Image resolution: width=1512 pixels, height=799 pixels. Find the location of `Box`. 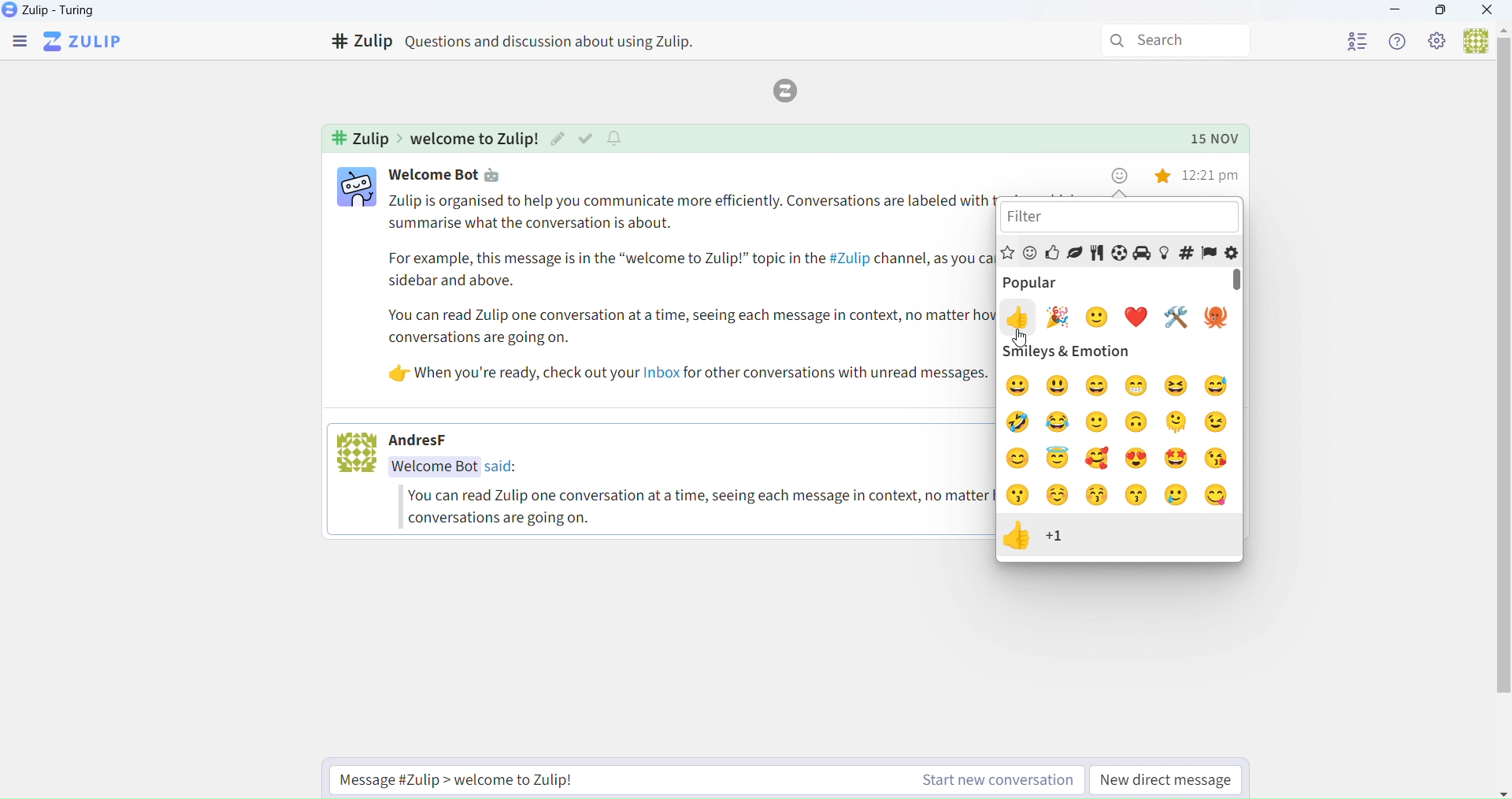

Box is located at coordinates (1442, 13).